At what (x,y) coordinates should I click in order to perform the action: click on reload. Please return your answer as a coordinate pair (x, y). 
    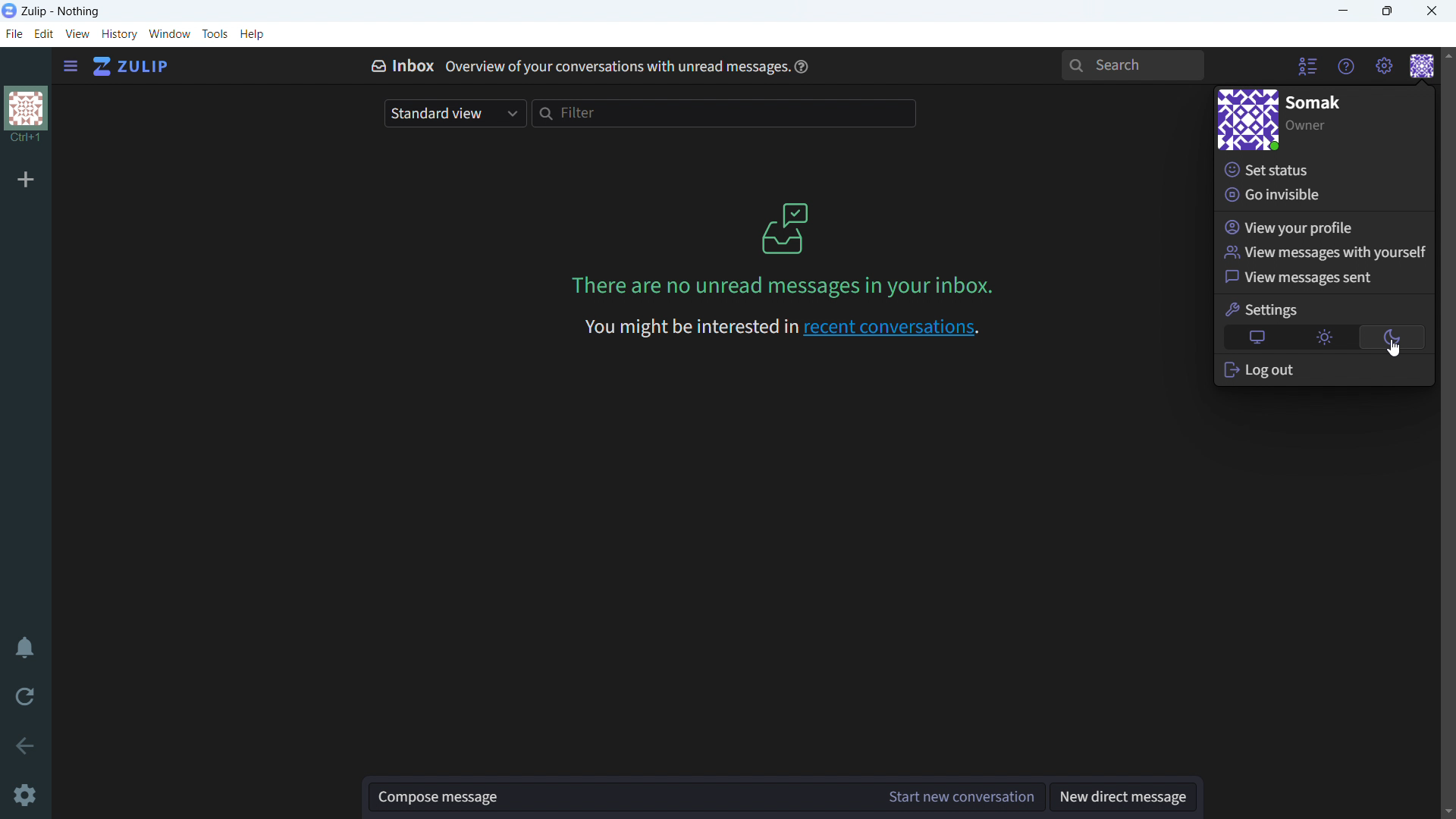
    Looking at the image, I should click on (23, 700).